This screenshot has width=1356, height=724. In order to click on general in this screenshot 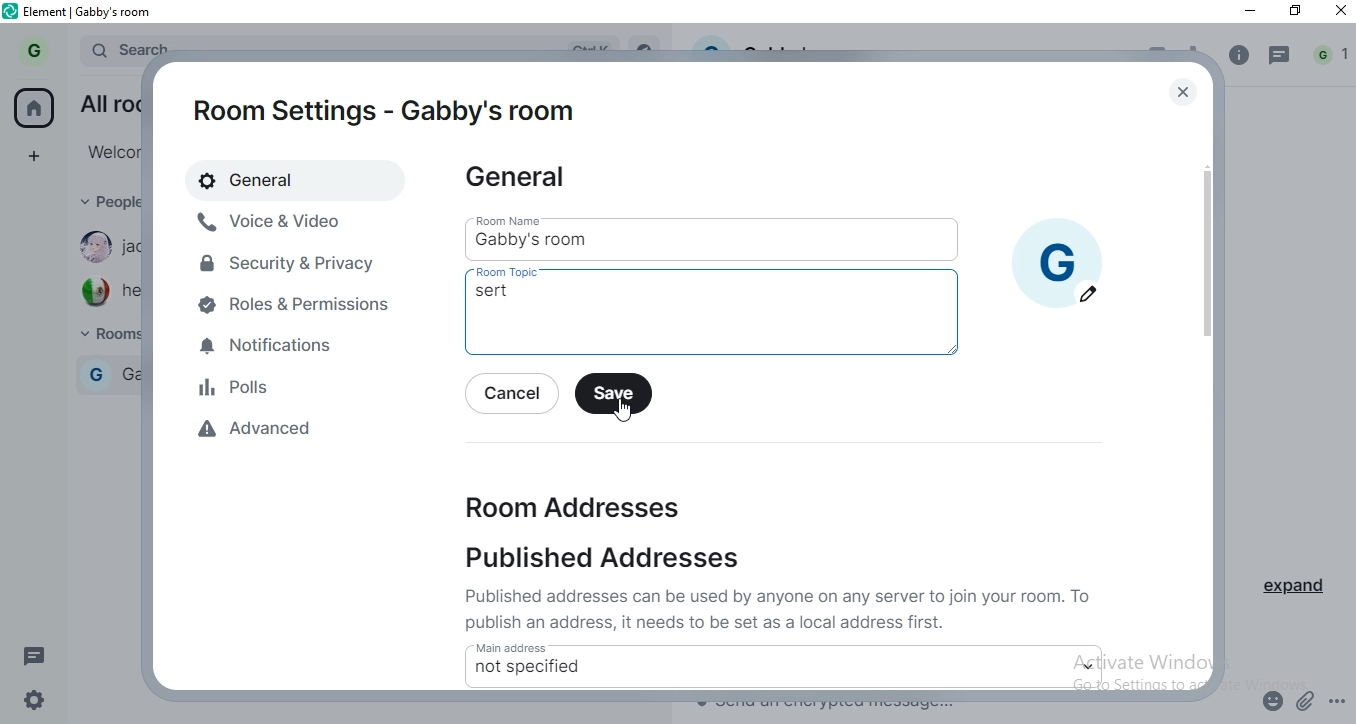, I will do `click(277, 179)`.